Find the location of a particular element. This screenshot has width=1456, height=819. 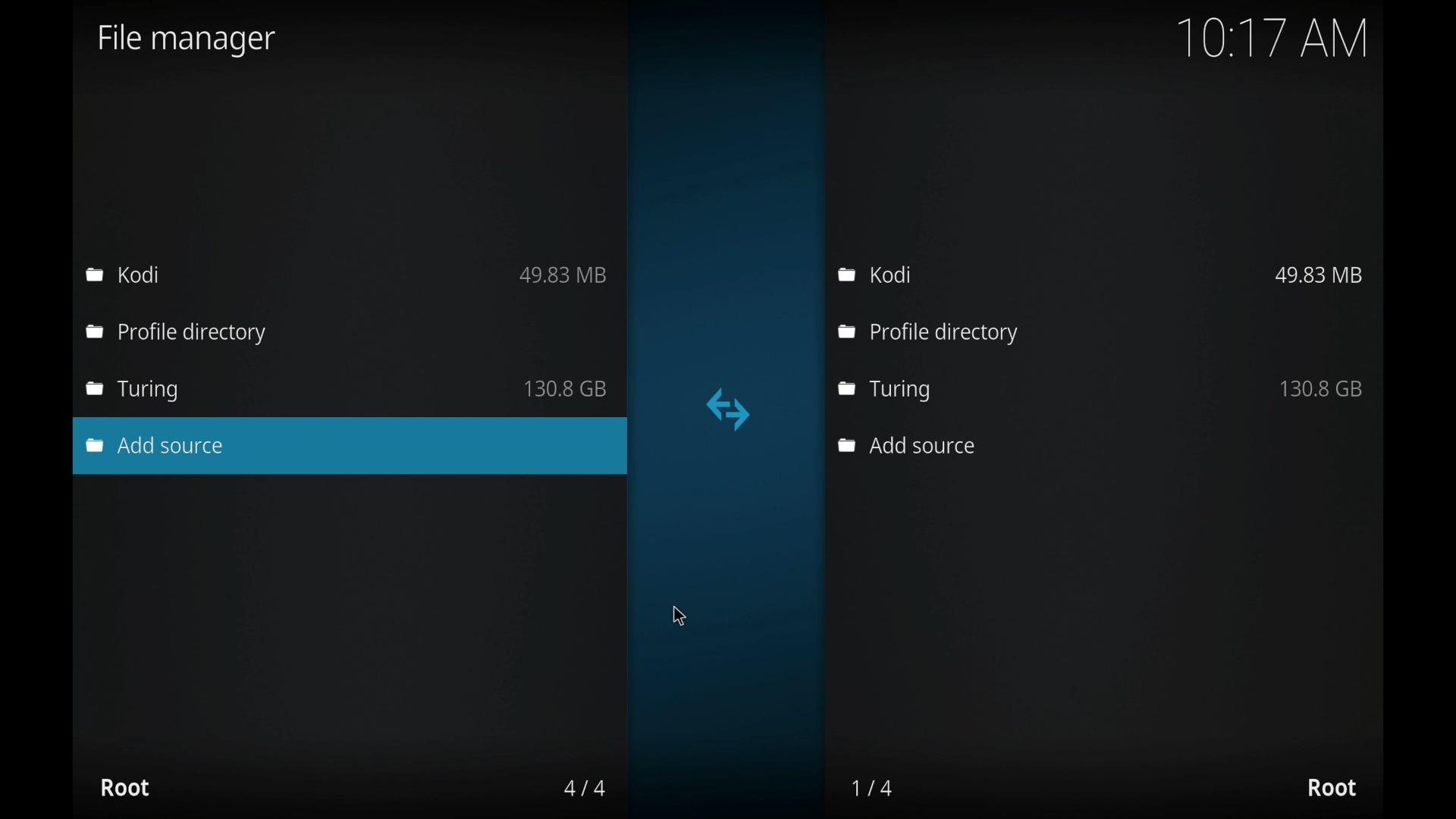

add source is located at coordinates (905, 445).